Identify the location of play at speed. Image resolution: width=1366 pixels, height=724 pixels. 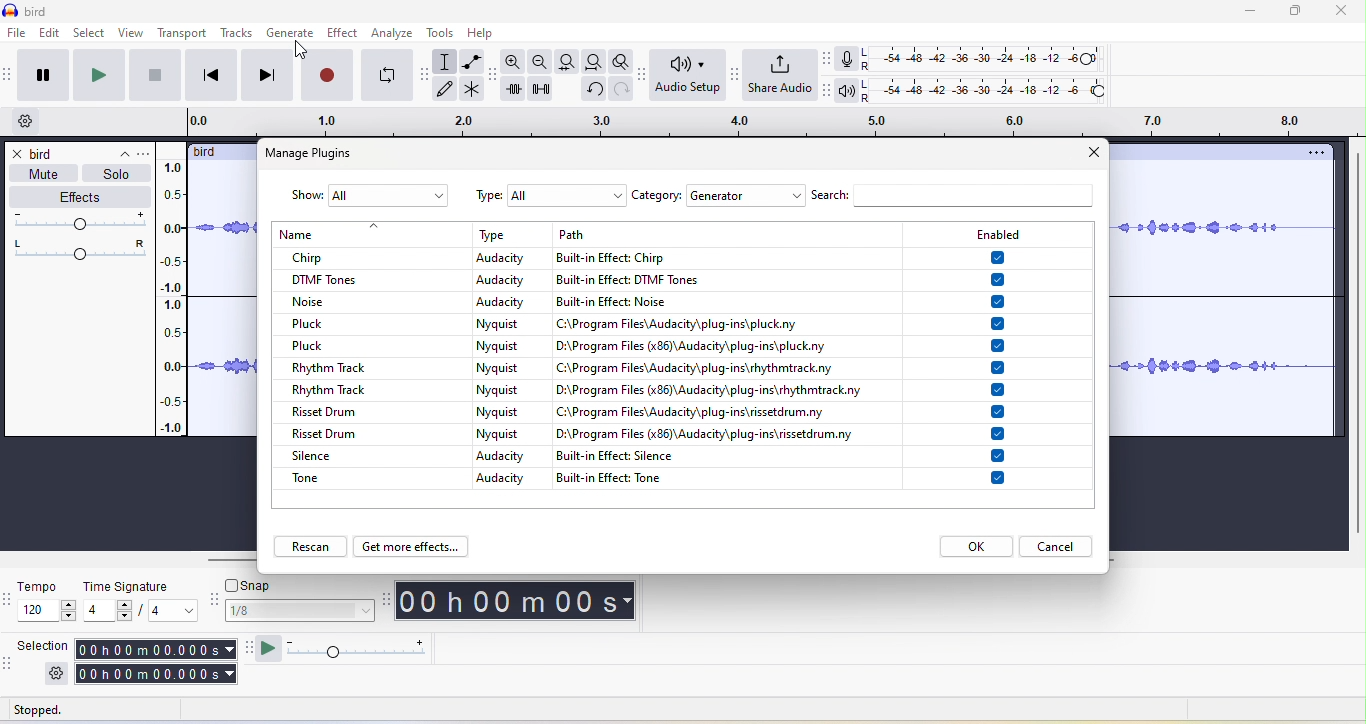
(268, 650).